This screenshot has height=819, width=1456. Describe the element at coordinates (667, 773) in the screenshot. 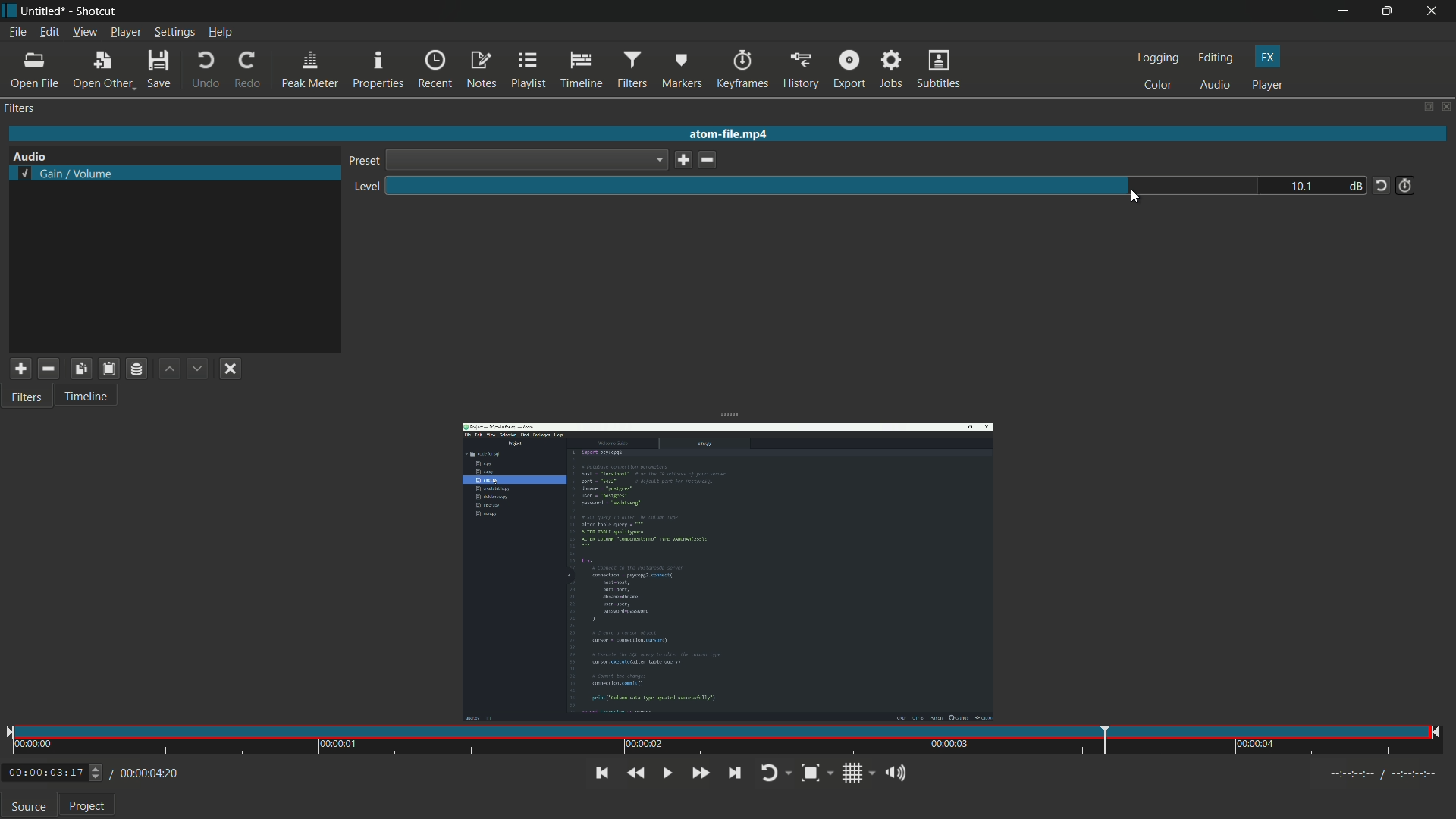

I see `toggle play or pause` at that location.